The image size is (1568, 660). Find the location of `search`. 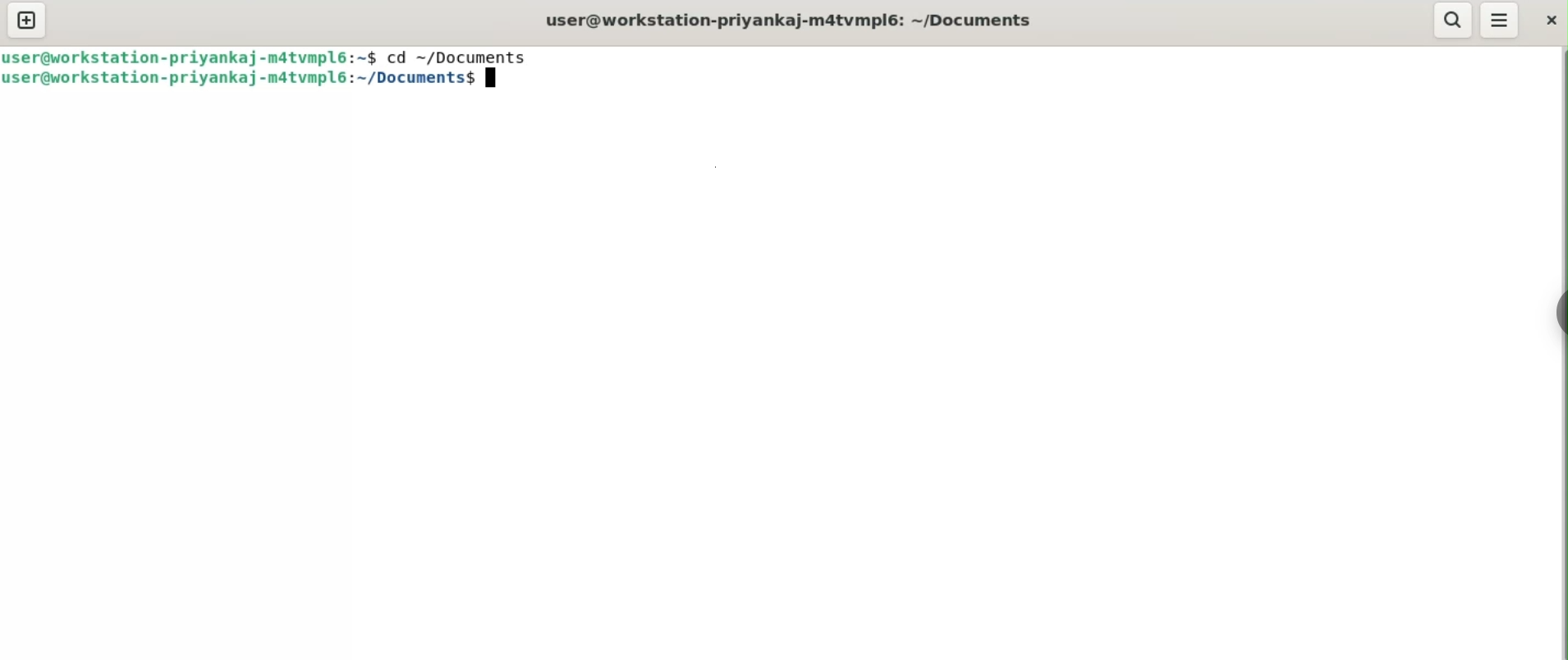

search is located at coordinates (1452, 20).